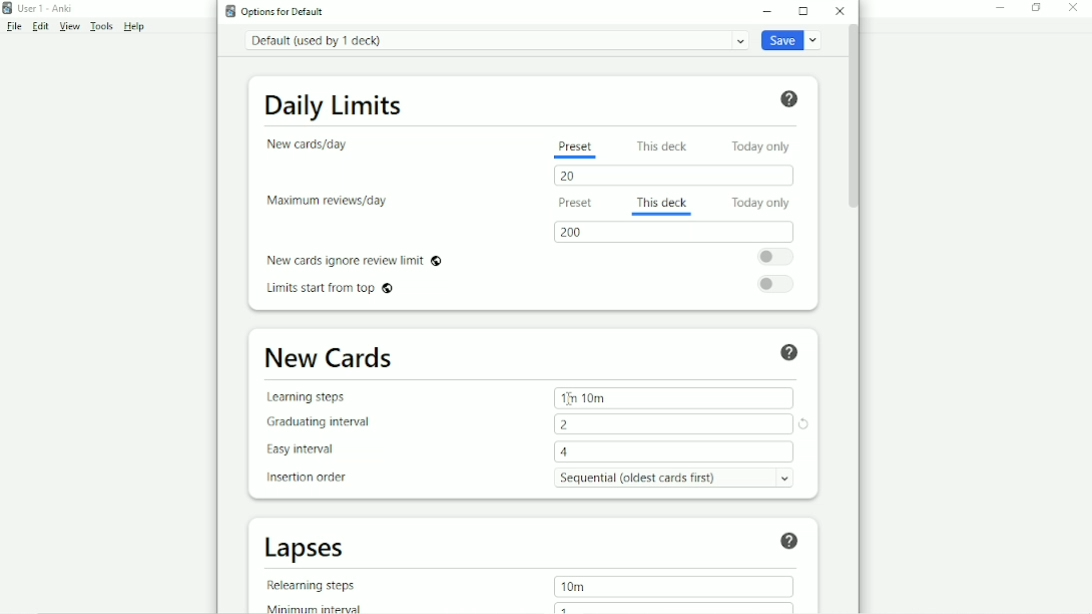 The image size is (1092, 614). What do you see at coordinates (573, 177) in the screenshot?
I see `20` at bounding box center [573, 177].